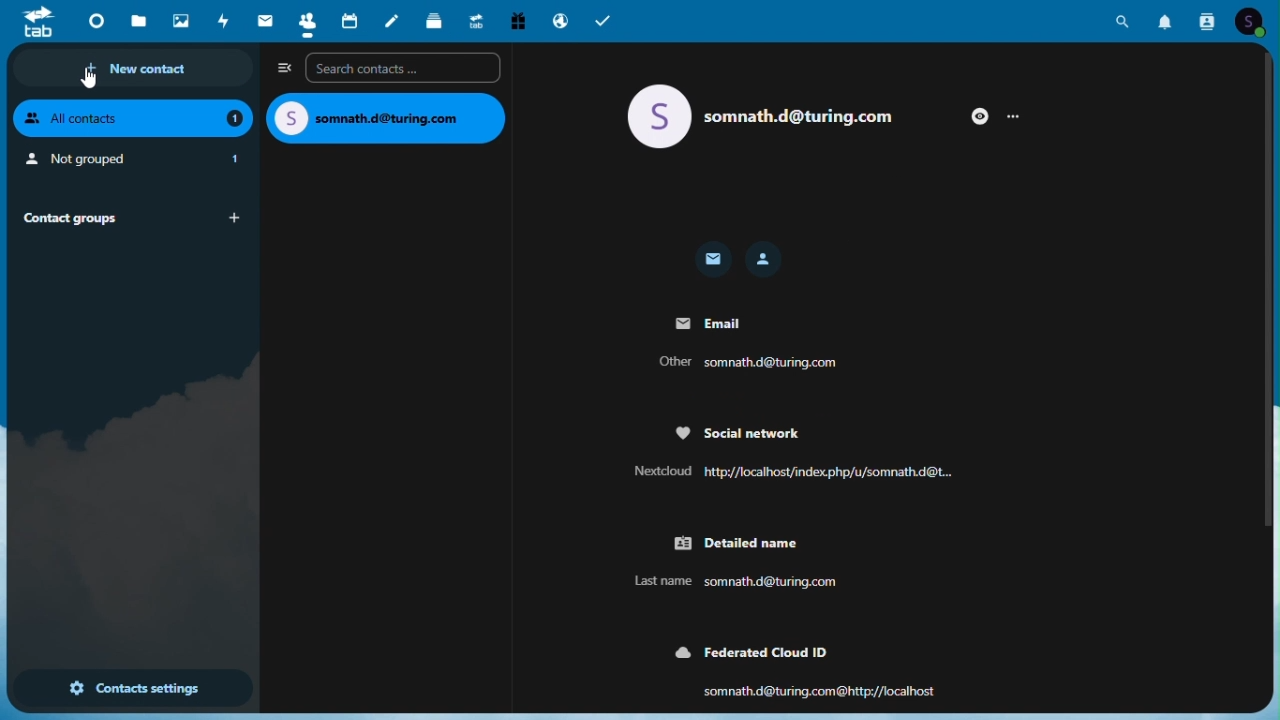 The height and width of the screenshot is (720, 1280). I want to click on cursor, so click(90, 79).